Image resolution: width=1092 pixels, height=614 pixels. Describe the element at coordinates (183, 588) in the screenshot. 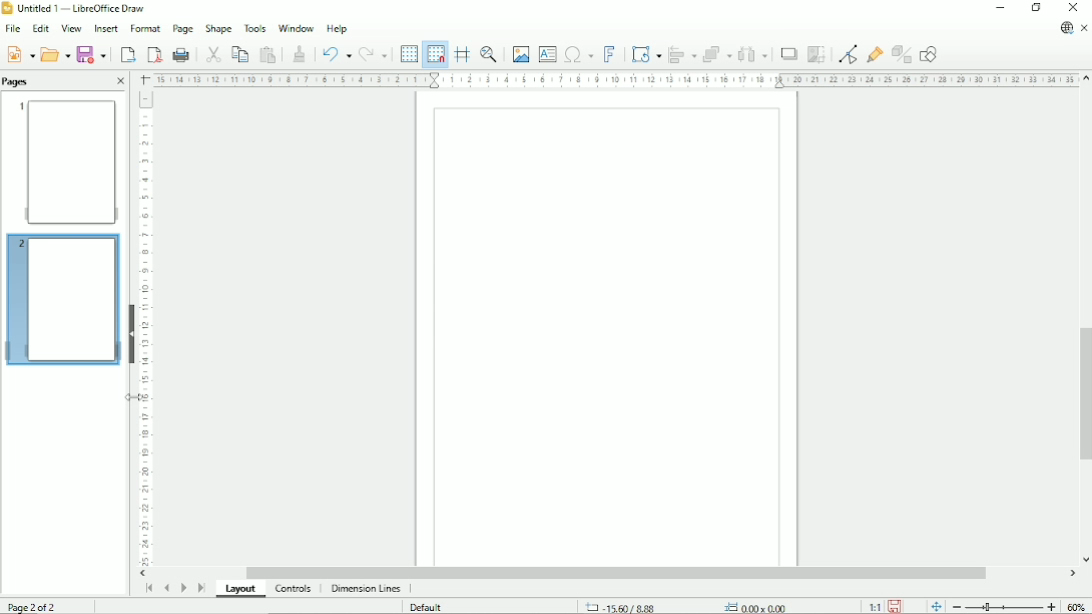

I see `Scroll to next page` at that location.